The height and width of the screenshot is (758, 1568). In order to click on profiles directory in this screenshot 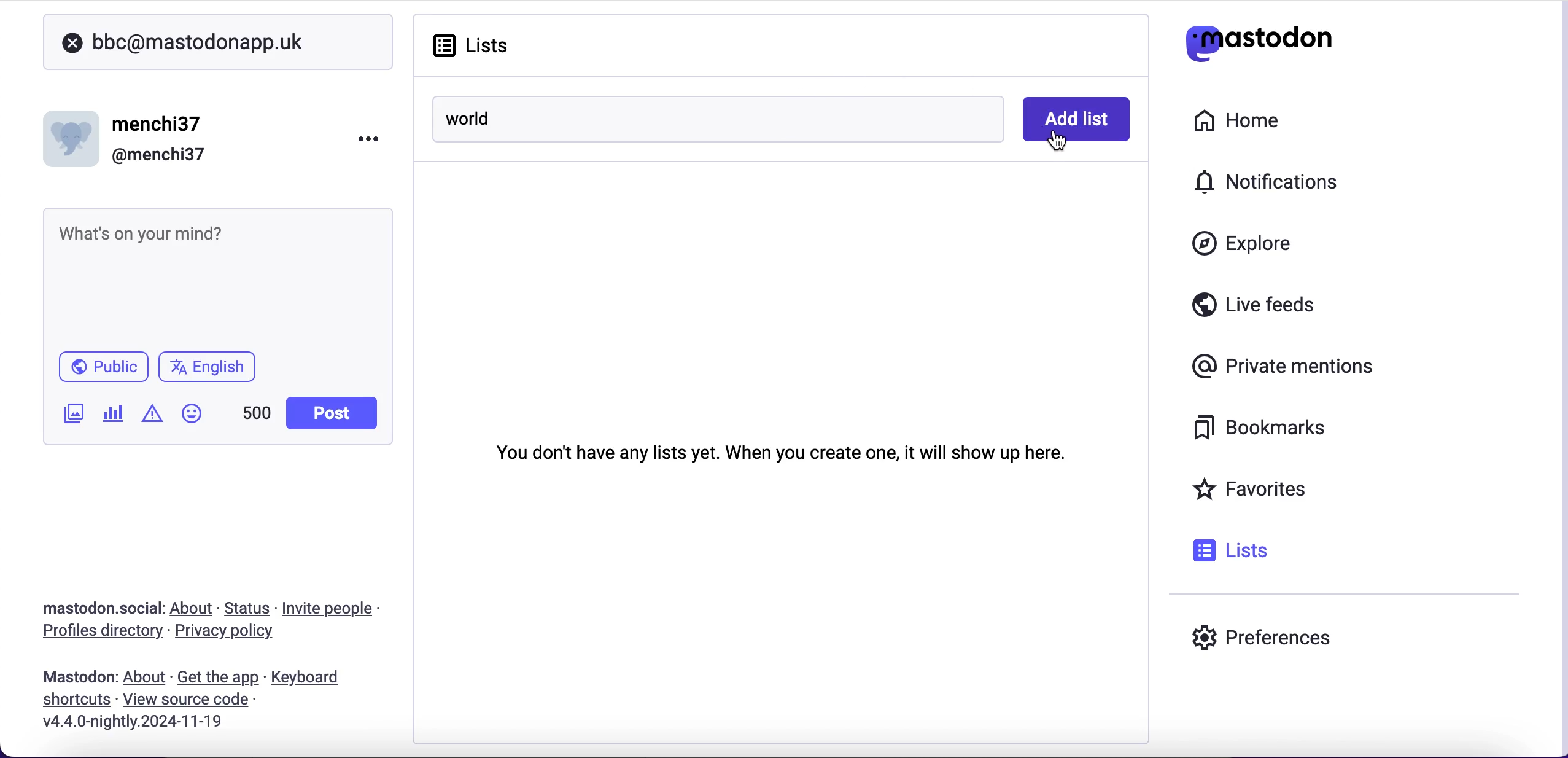, I will do `click(95, 633)`.